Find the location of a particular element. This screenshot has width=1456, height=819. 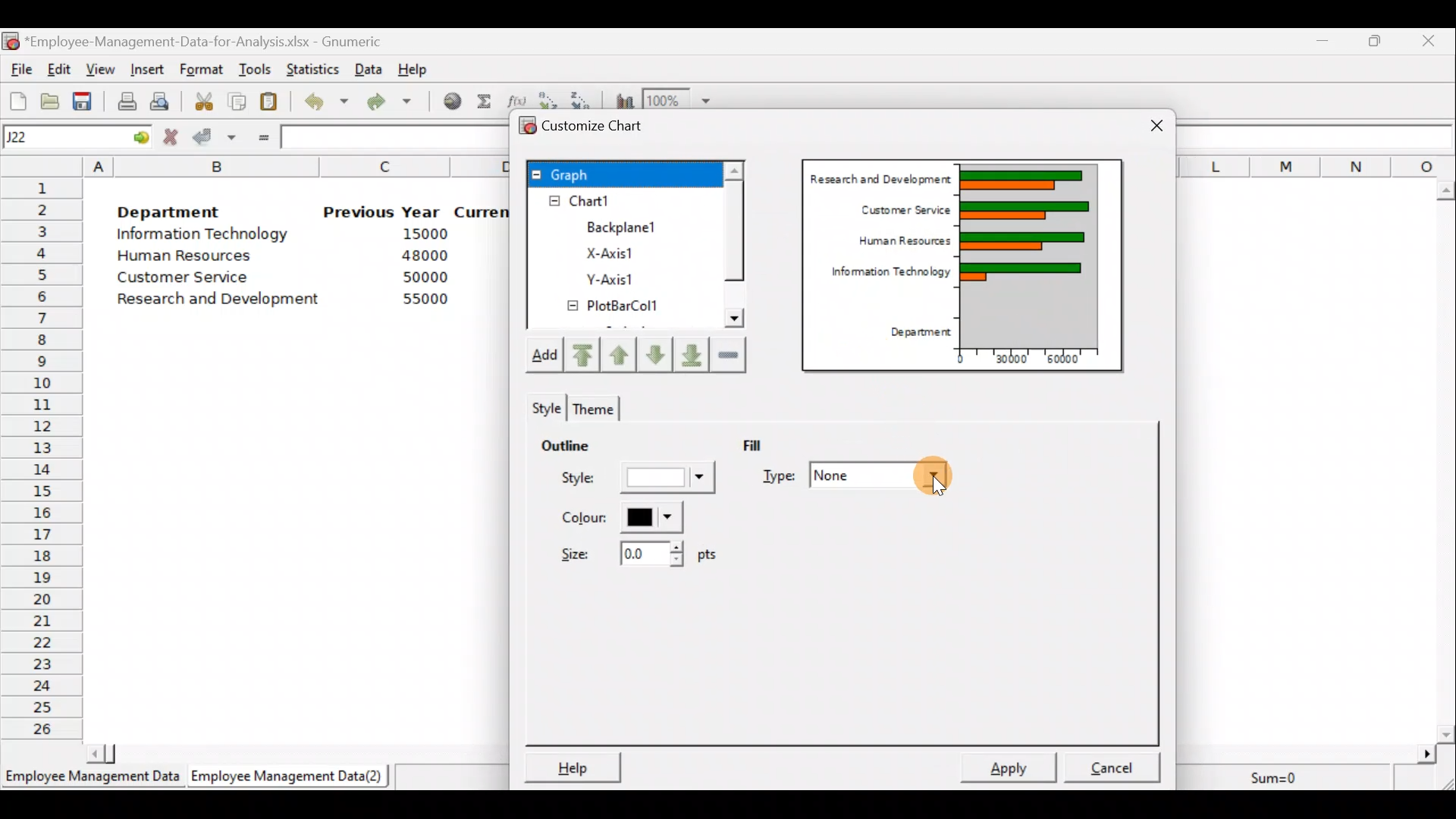

Close is located at coordinates (1145, 124).